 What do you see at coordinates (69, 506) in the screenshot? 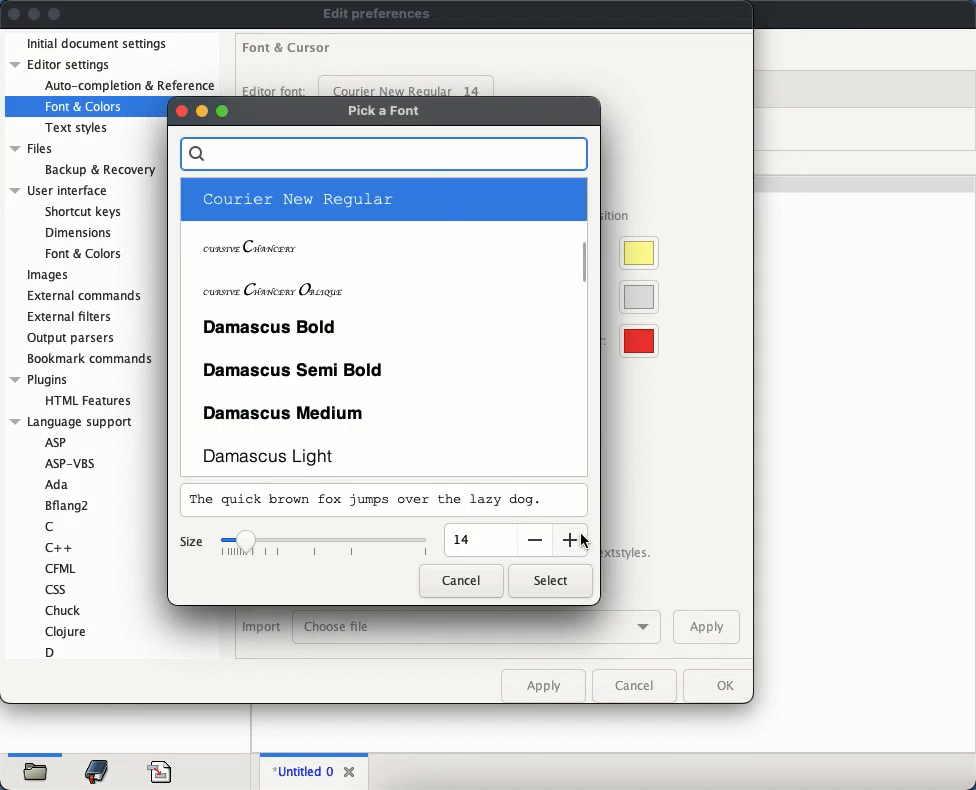
I see `bflang2` at bounding box center [69, 506].